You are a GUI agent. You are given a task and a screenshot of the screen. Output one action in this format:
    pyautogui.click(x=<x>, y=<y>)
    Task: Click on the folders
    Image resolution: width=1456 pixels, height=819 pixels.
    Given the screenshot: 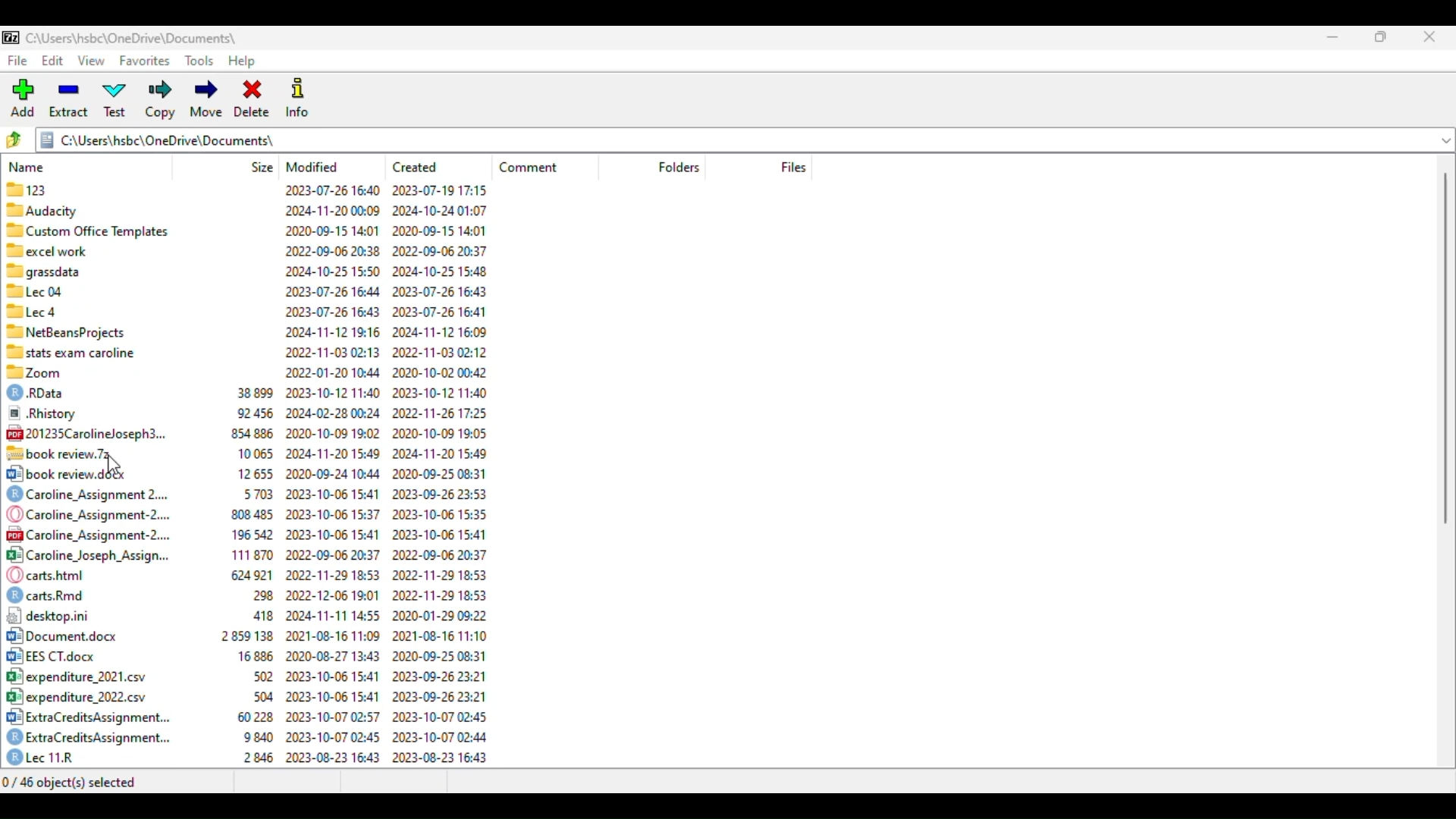 What is the action you would take?
    pyautogui.click(x=678, y=166)
    